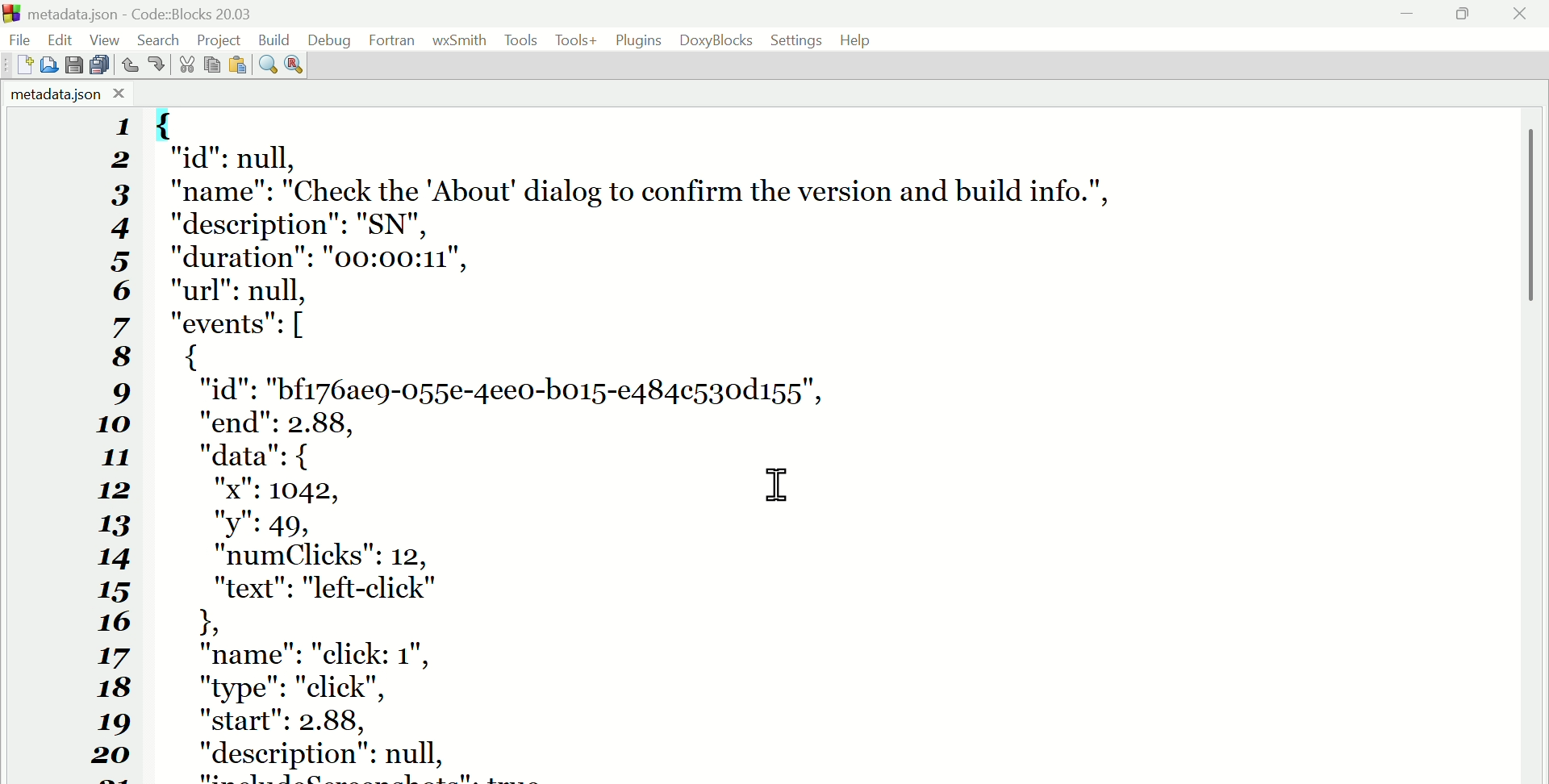 The height and width of the screenshot is (784, 1549). What do you see at coordinates (522, 40) in the screenshot?
I see `Tools` at bounding box center [522, 40].